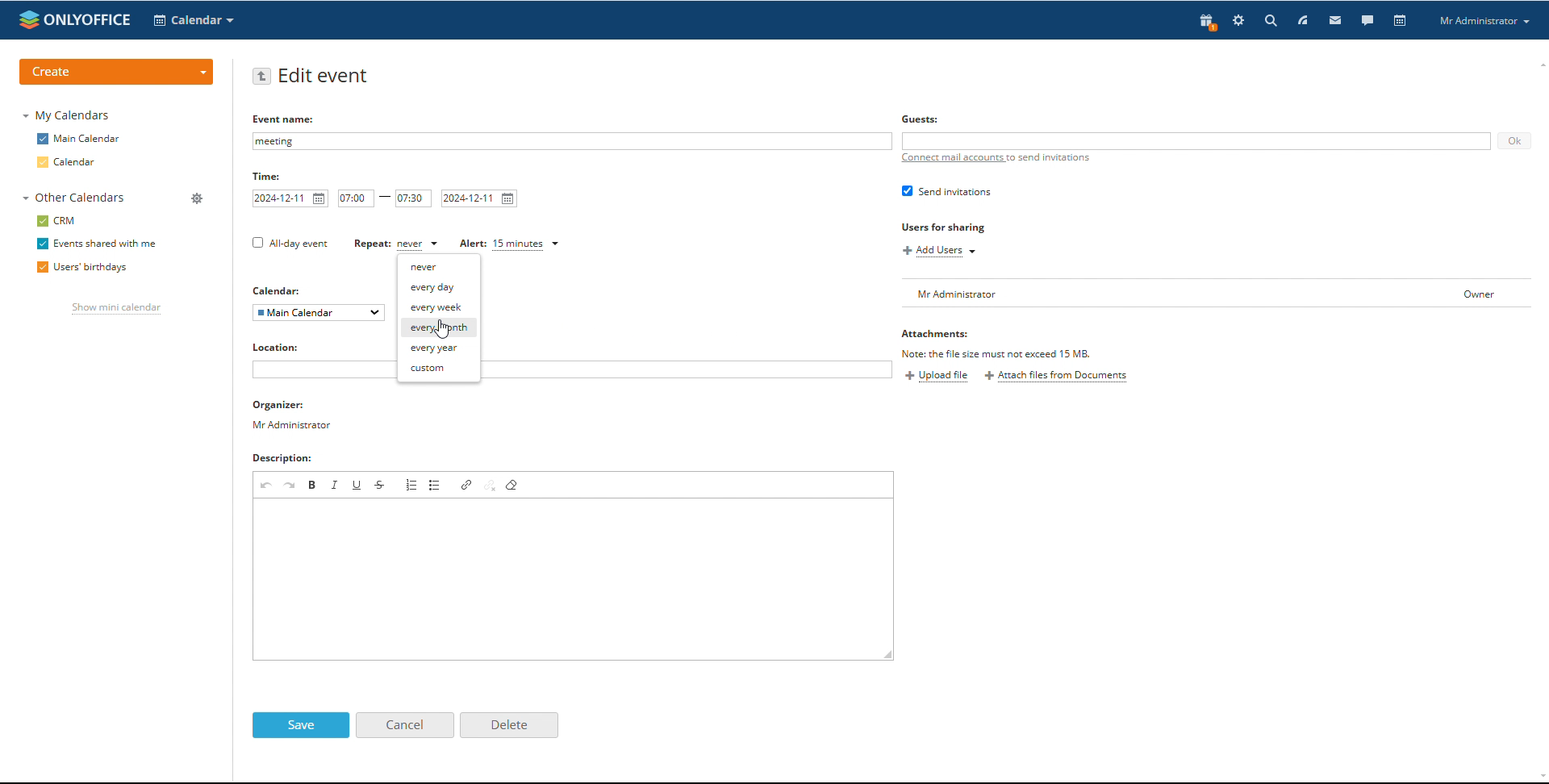 The width and height of the screenshot is (1549, 784). I want to click on go back, so click(261, 76).